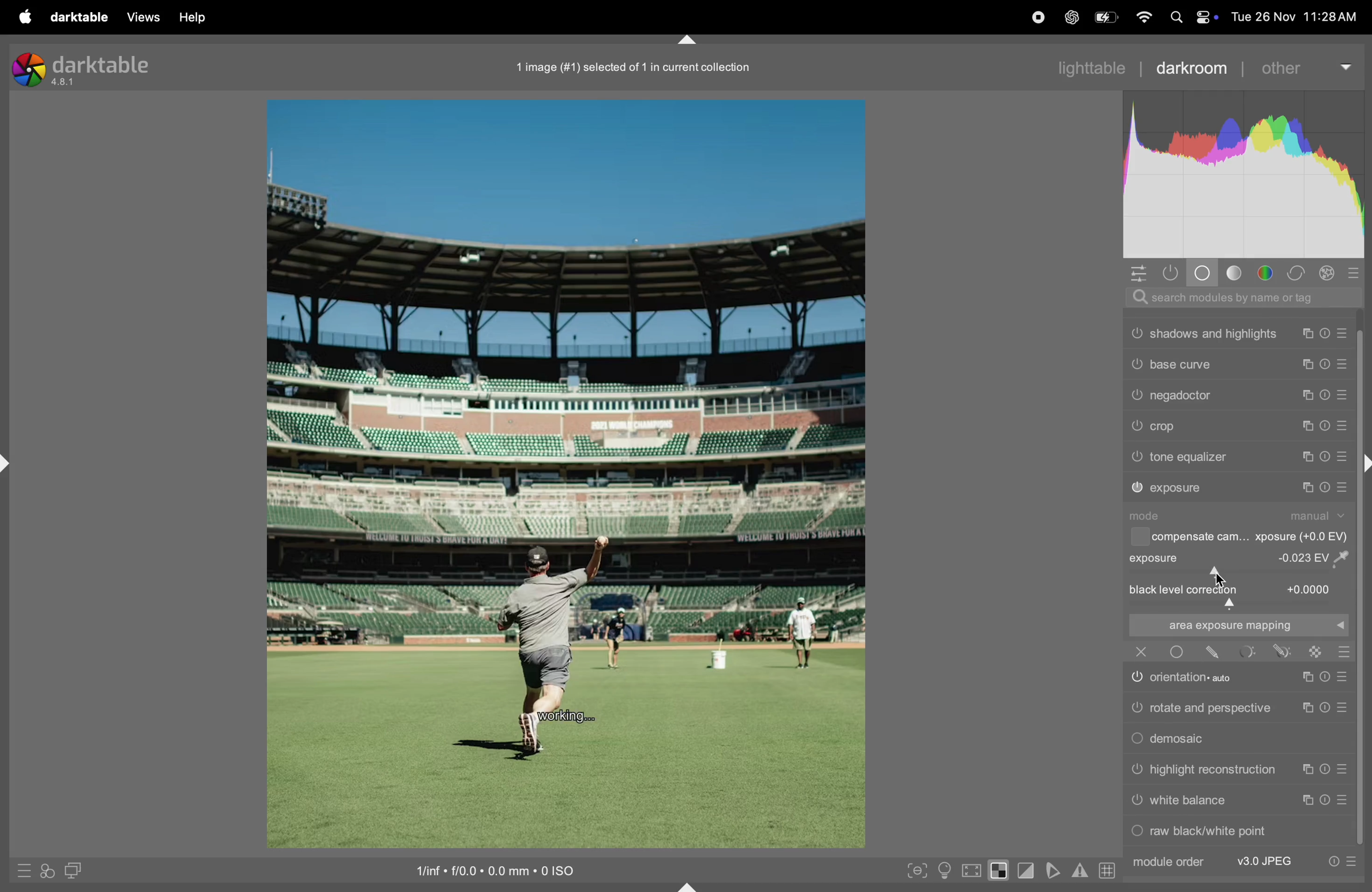  What do you see at coordinates (1328, 273) in the screenshot?
I see `effect` at bounding box center [1328, 273].